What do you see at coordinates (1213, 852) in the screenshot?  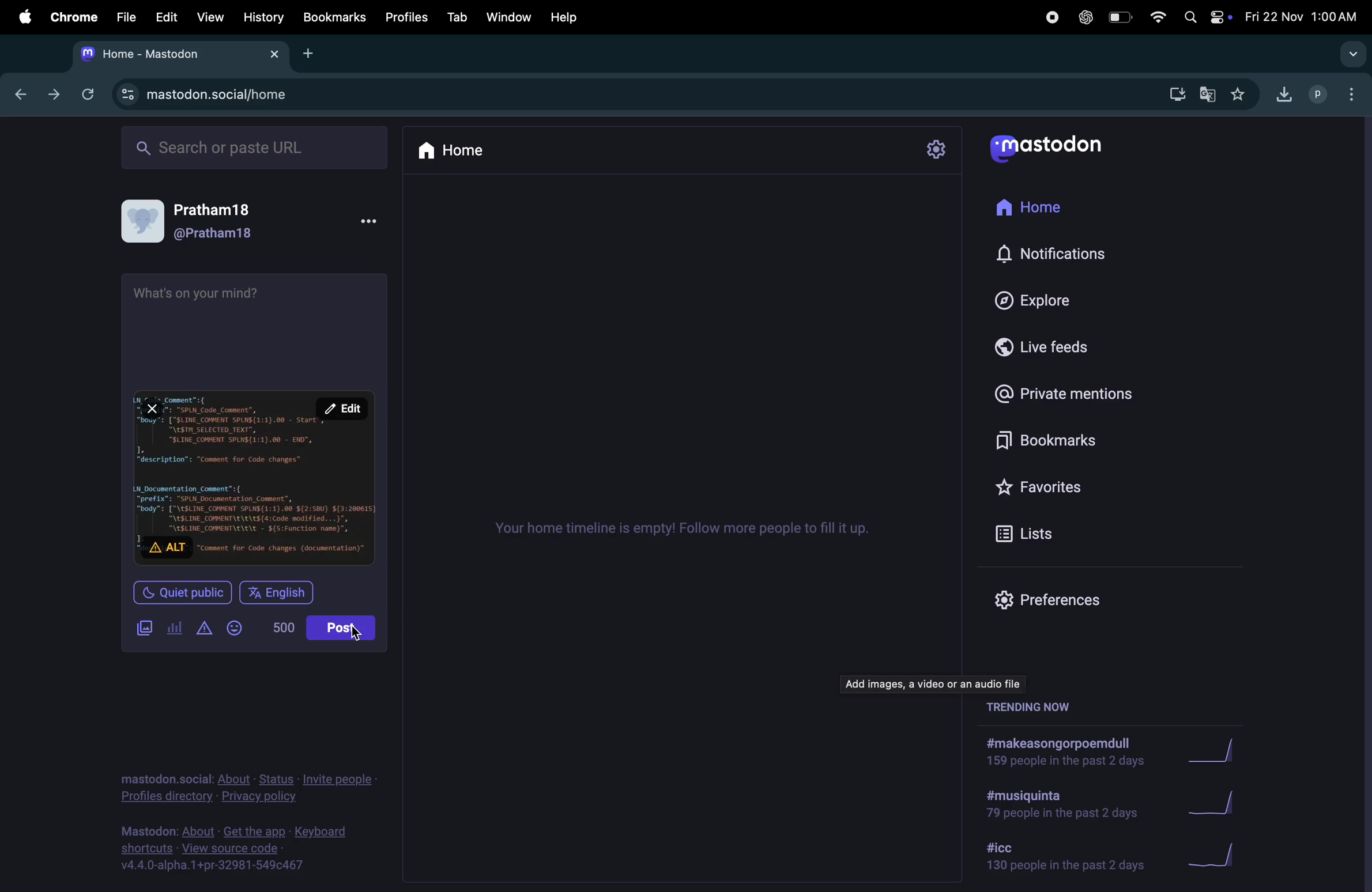 I see `graphs` at bounding box center [1213, 852].